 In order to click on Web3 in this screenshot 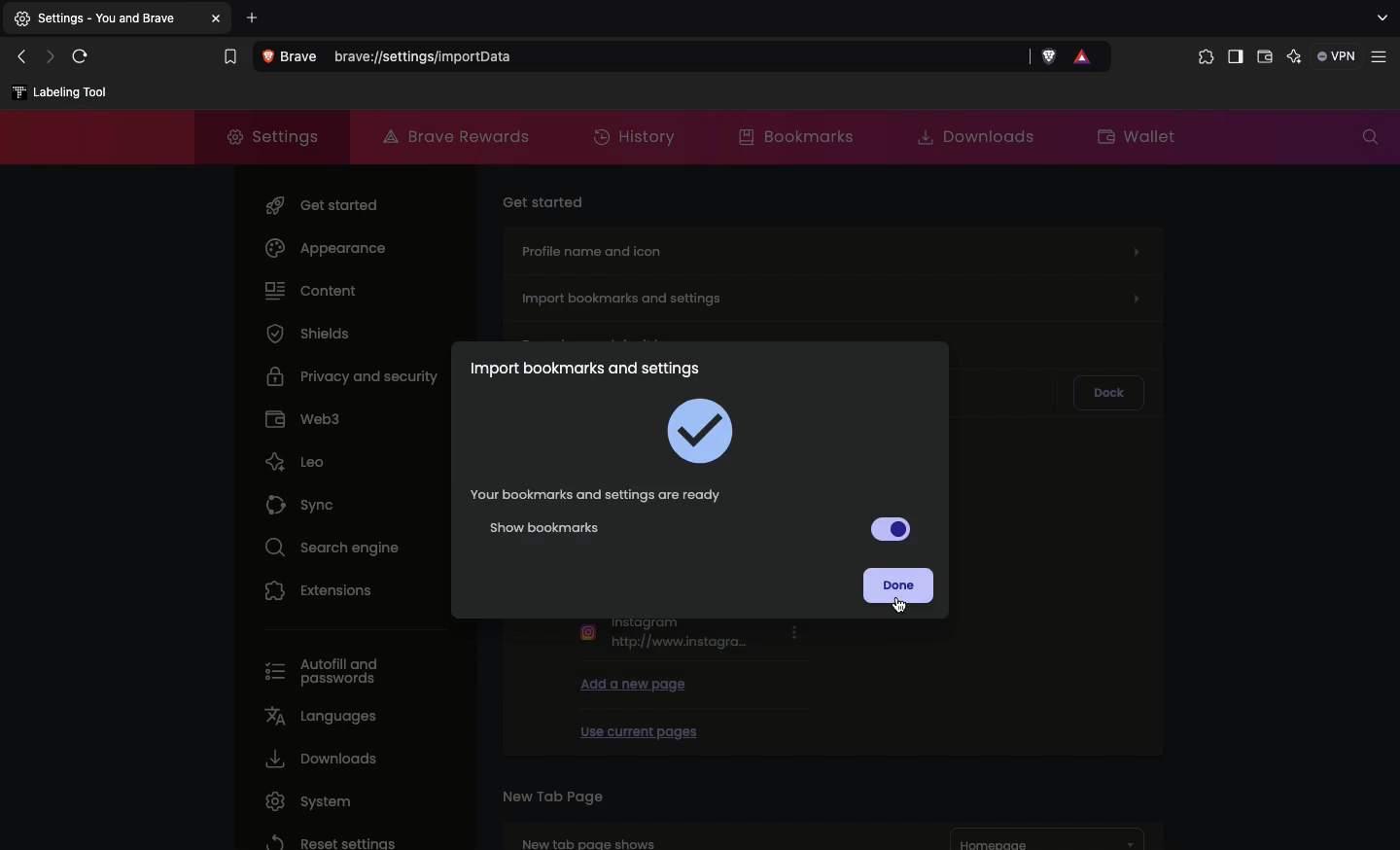, I will do `click(303, 416)`.